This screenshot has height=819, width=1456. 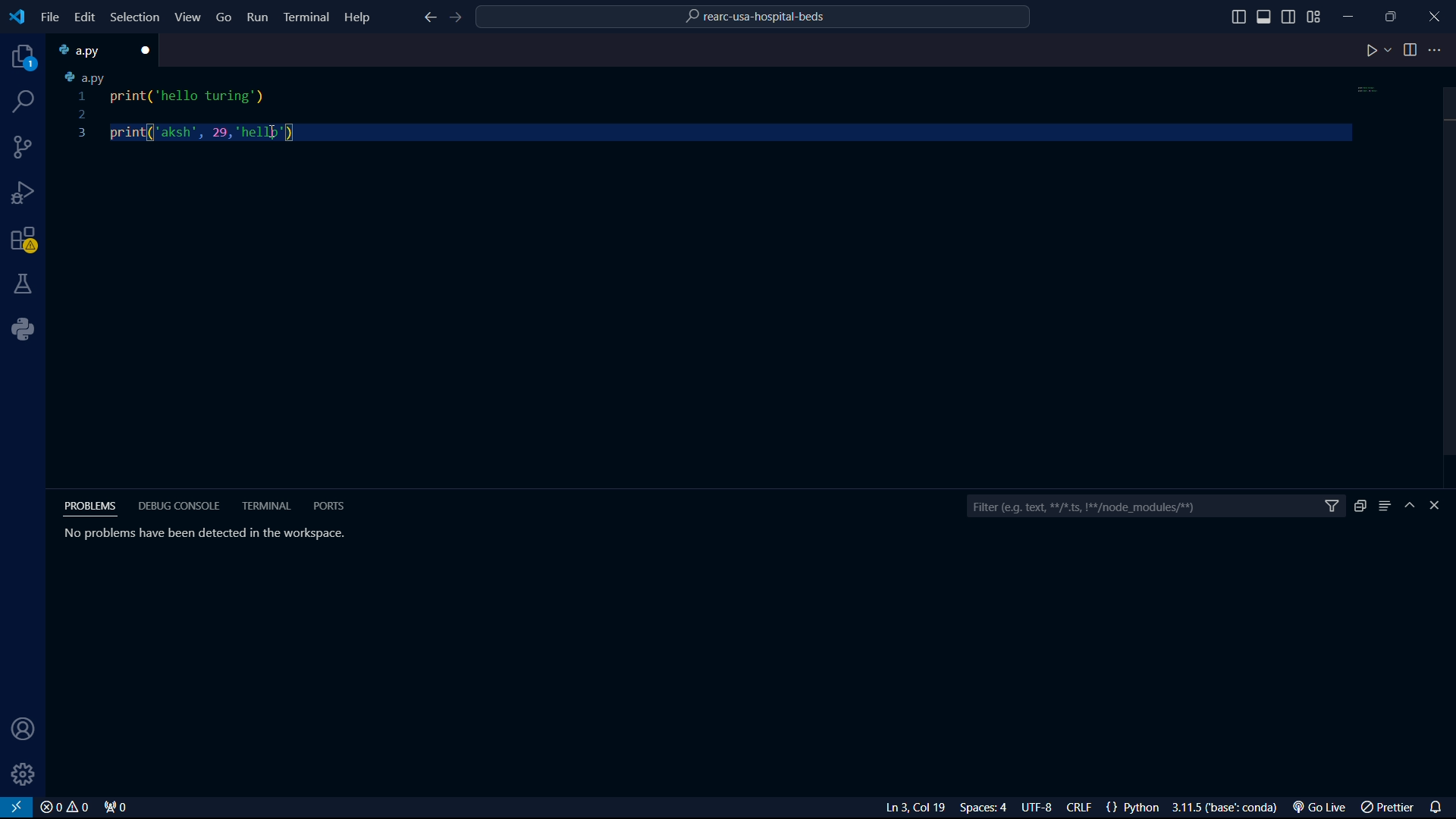 What do you see at coordinates (24, 60) in the screenshot?
I see `projects` at bounding box center [24, 60].